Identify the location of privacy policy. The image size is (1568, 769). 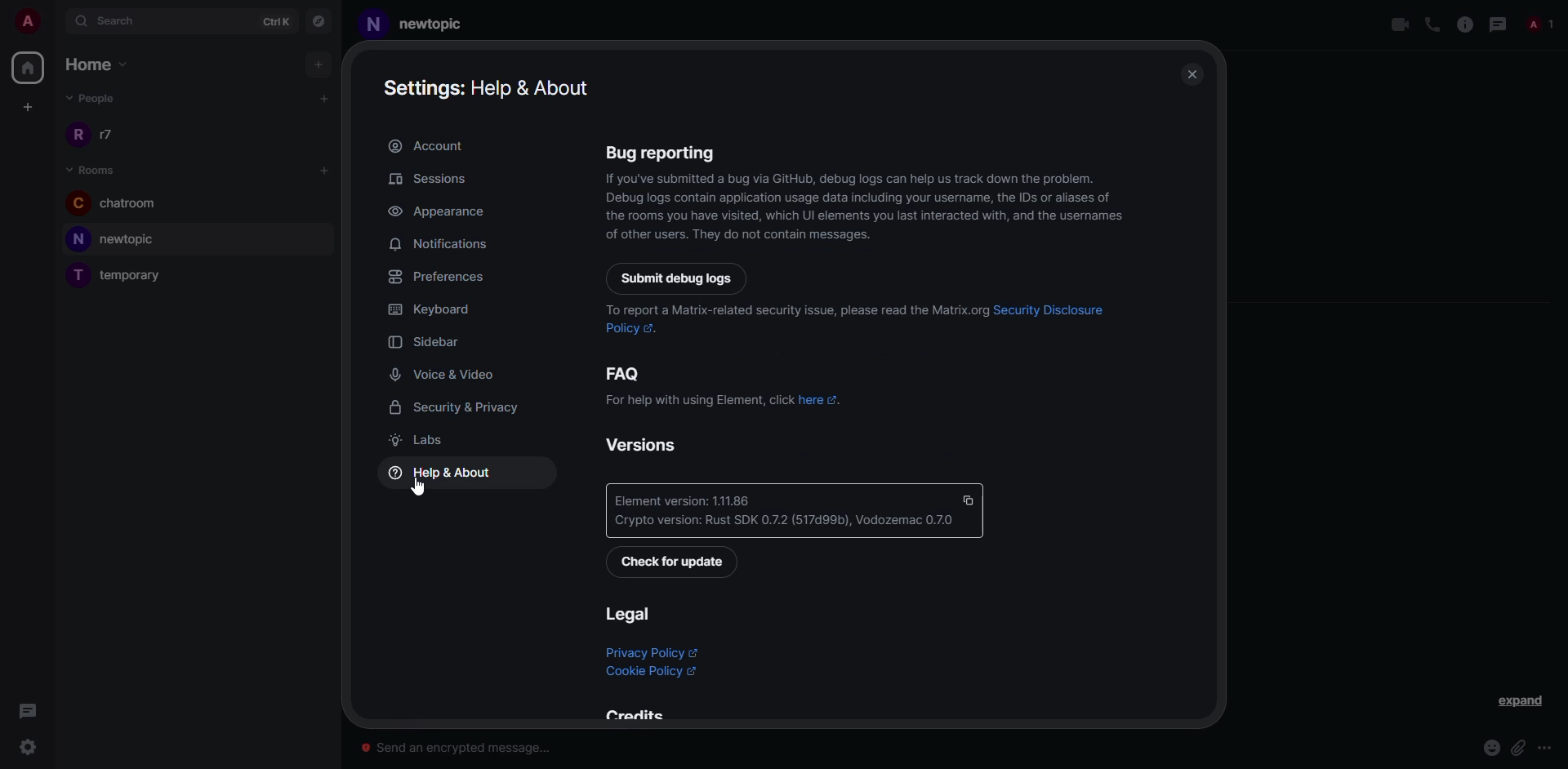
(653, 652).